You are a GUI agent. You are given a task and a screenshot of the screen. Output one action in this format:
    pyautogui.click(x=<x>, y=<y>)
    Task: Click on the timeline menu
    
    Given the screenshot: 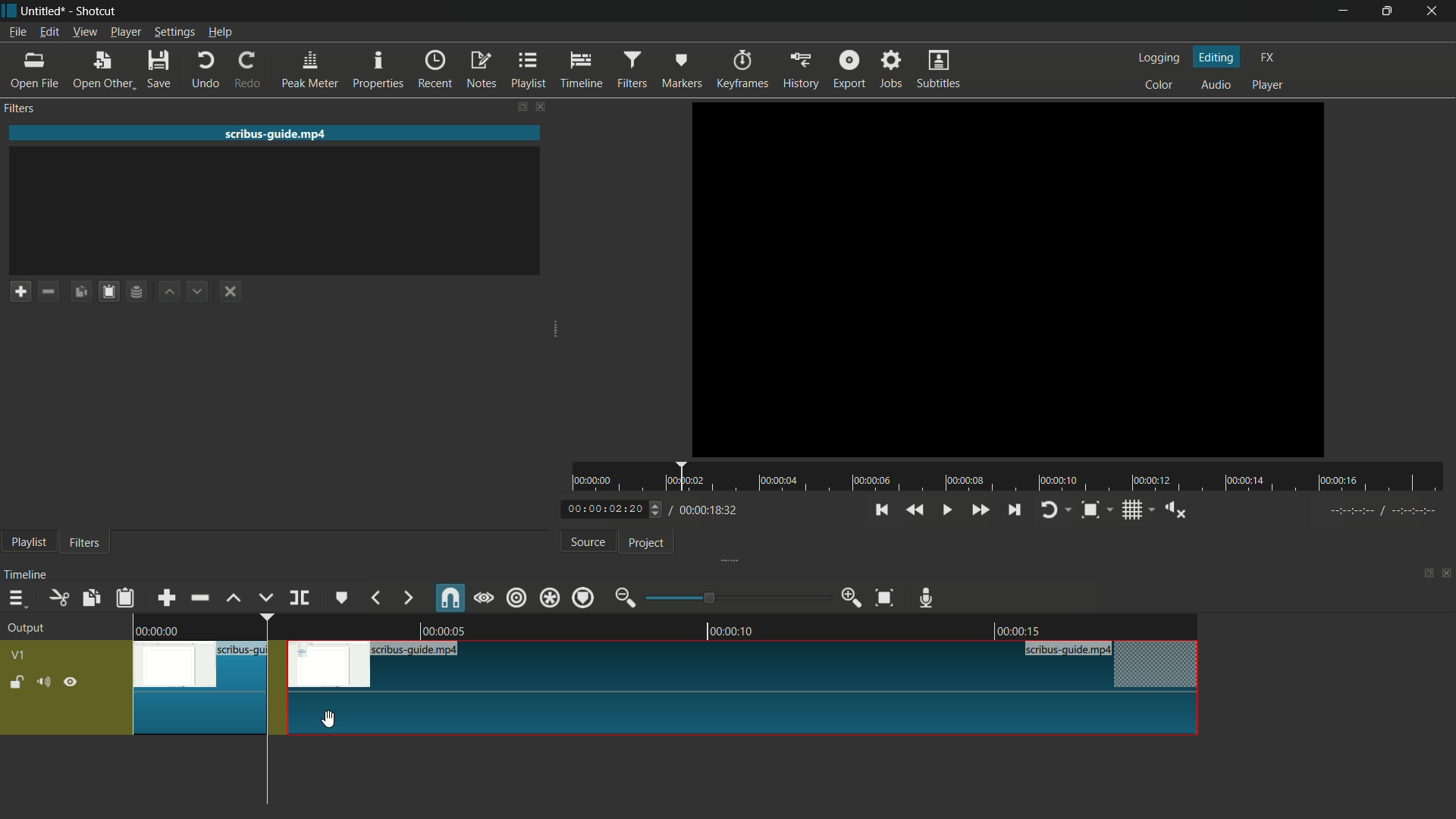 What is the action you would take?
    pyautogui.click(x=15, y=598)
    